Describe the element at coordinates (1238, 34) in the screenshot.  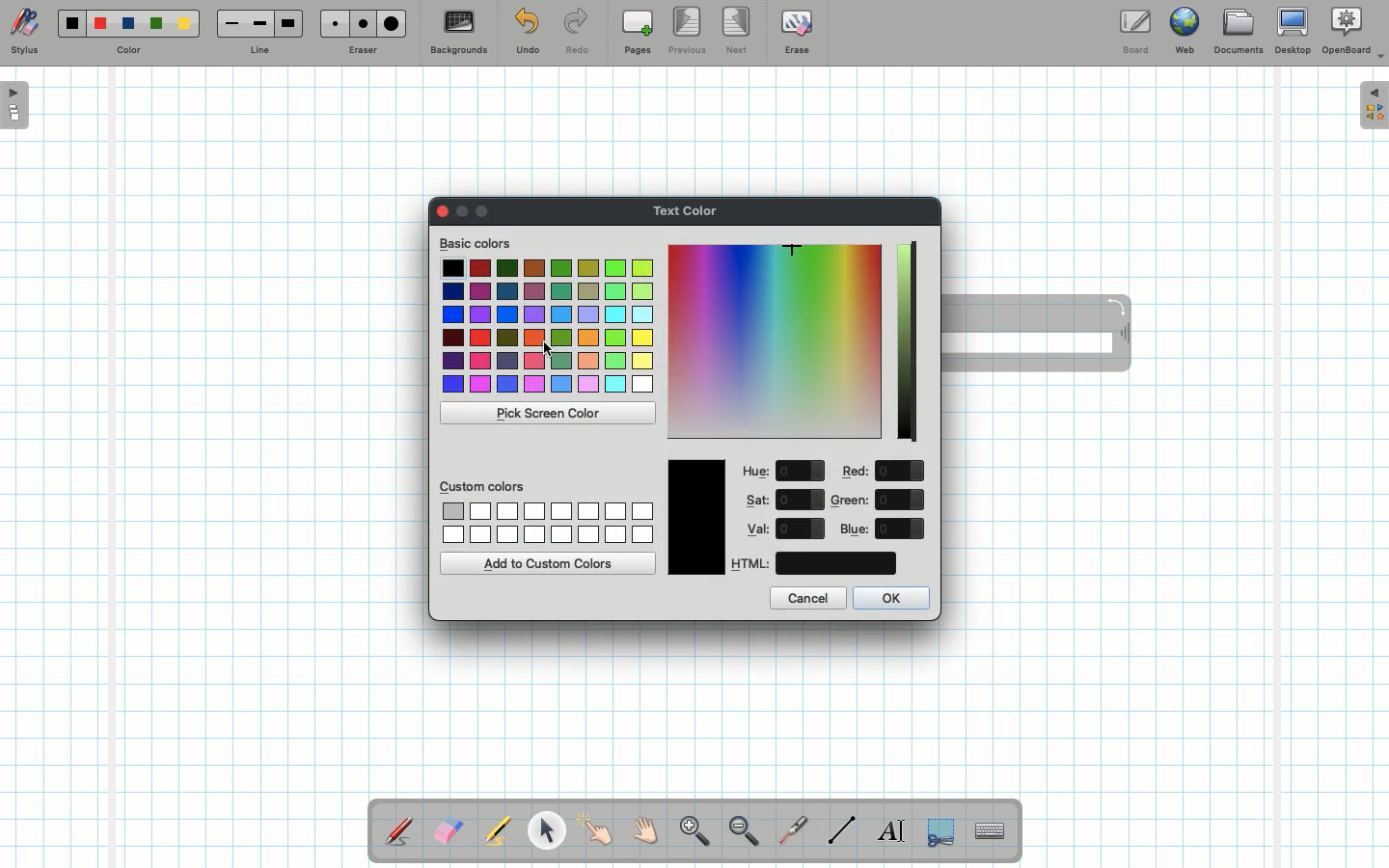
I see `Documents` at that location.